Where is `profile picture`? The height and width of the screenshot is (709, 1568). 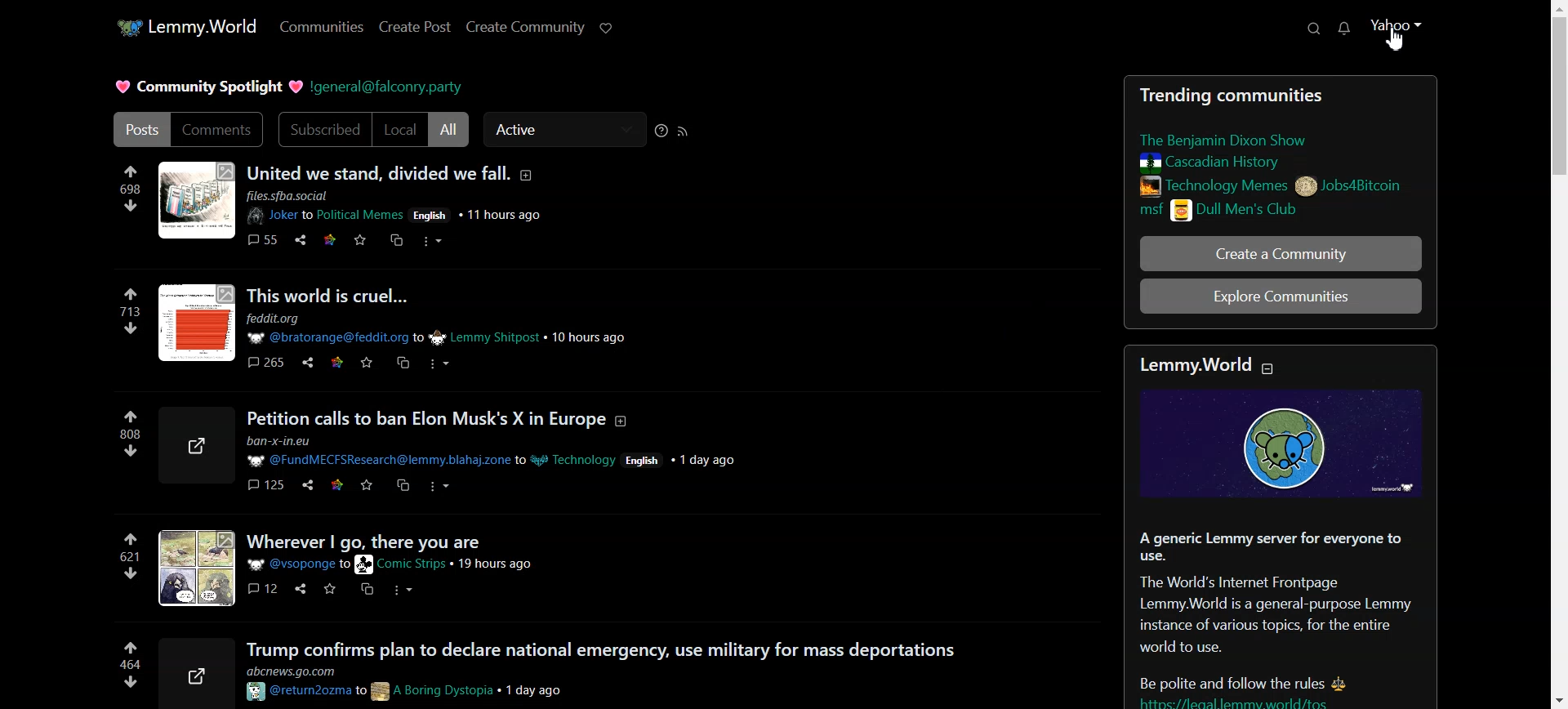
profile picture is located at coordinates (193, 569).